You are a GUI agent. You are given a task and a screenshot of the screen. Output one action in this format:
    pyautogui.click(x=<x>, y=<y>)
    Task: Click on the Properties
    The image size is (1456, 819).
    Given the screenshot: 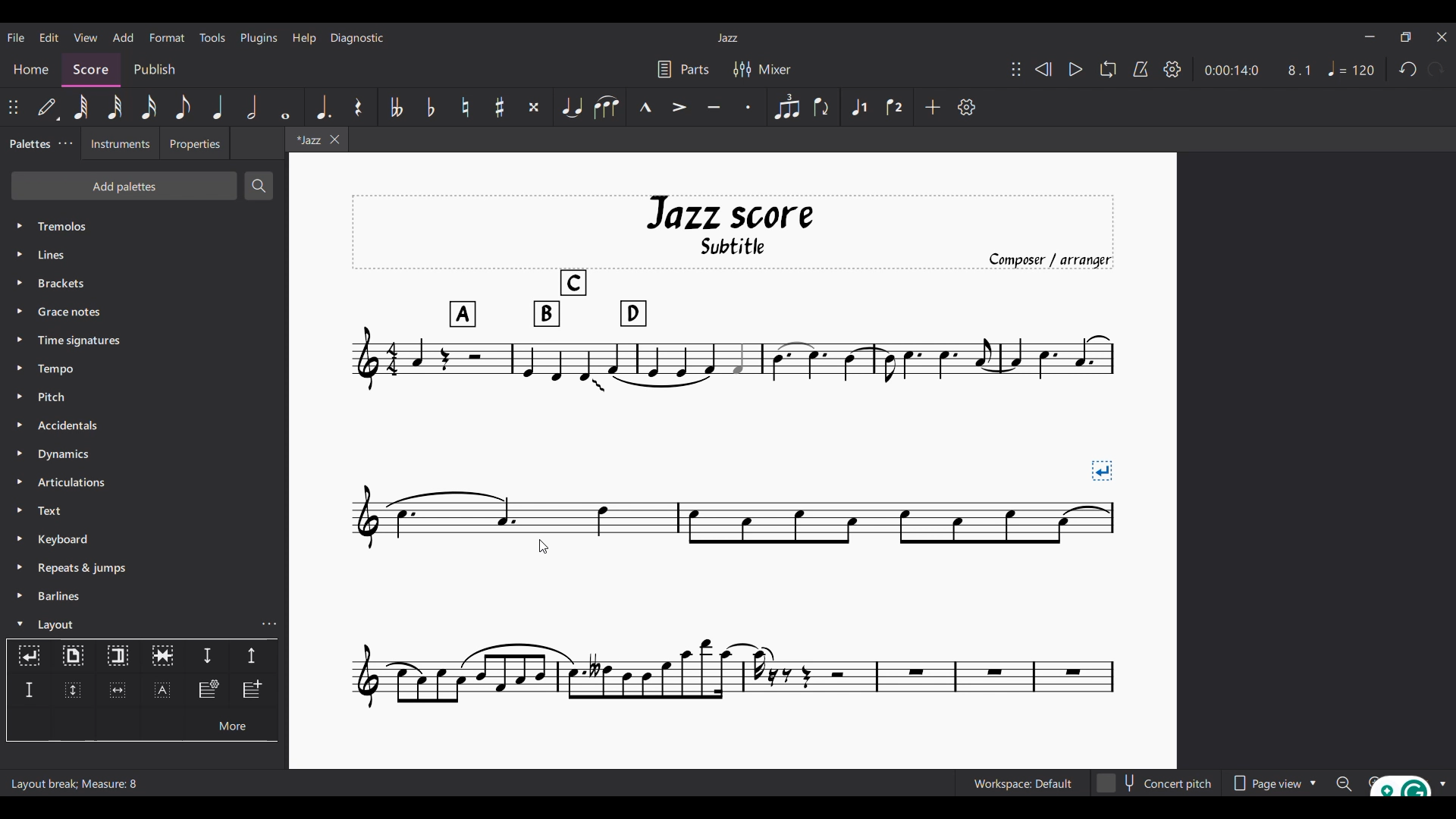 What is the action you would take?
    pyautogui.click(x=195, y=143)
    